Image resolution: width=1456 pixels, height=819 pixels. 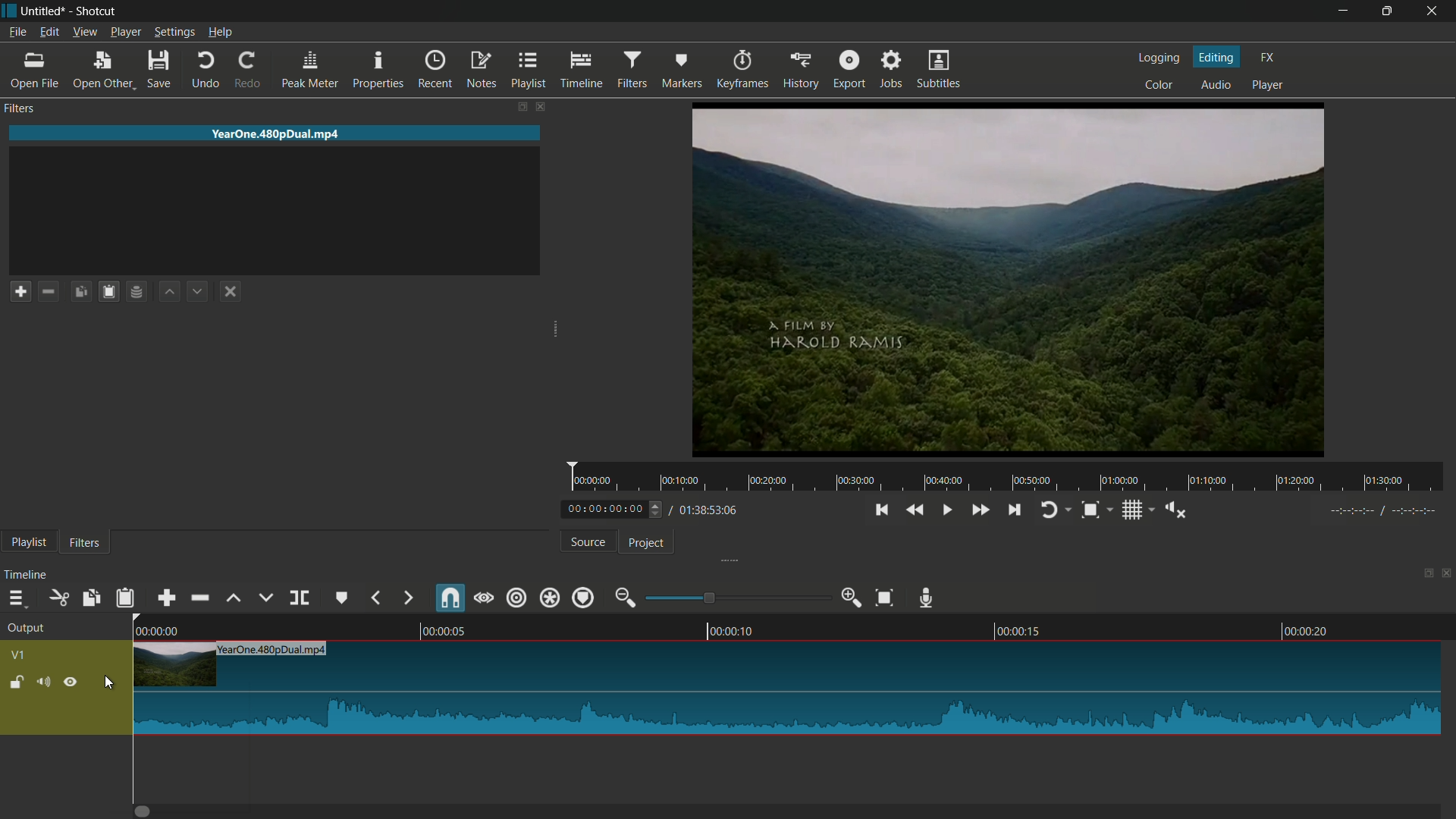 What do you see at coordinates (88, 542) in the screenshot?
I see `filters` at bounding box center [88, 542].